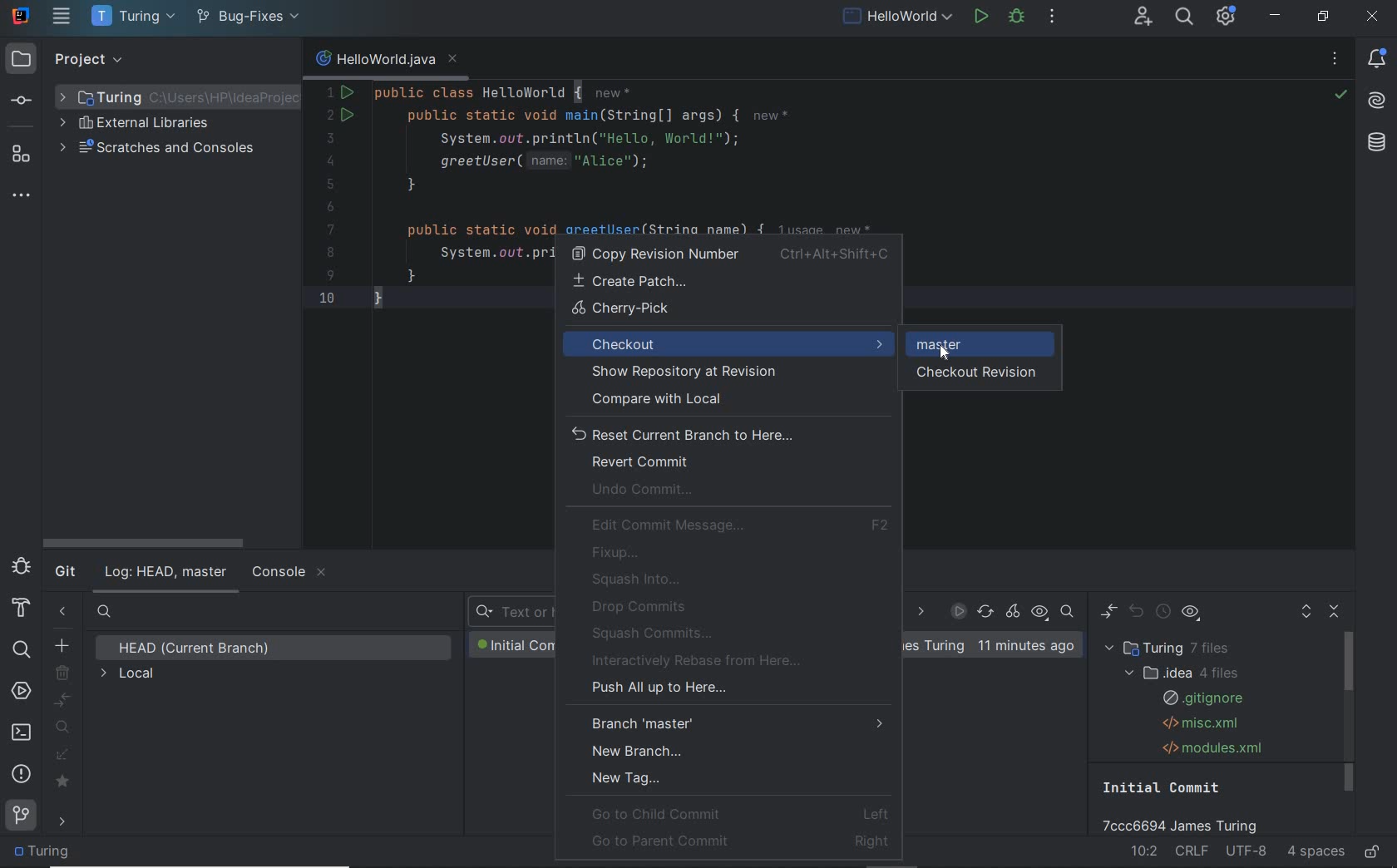  What do you see at coordinates (1138, 613) in the screenshot?
I see `revert` at bounding box center [1138, 613].